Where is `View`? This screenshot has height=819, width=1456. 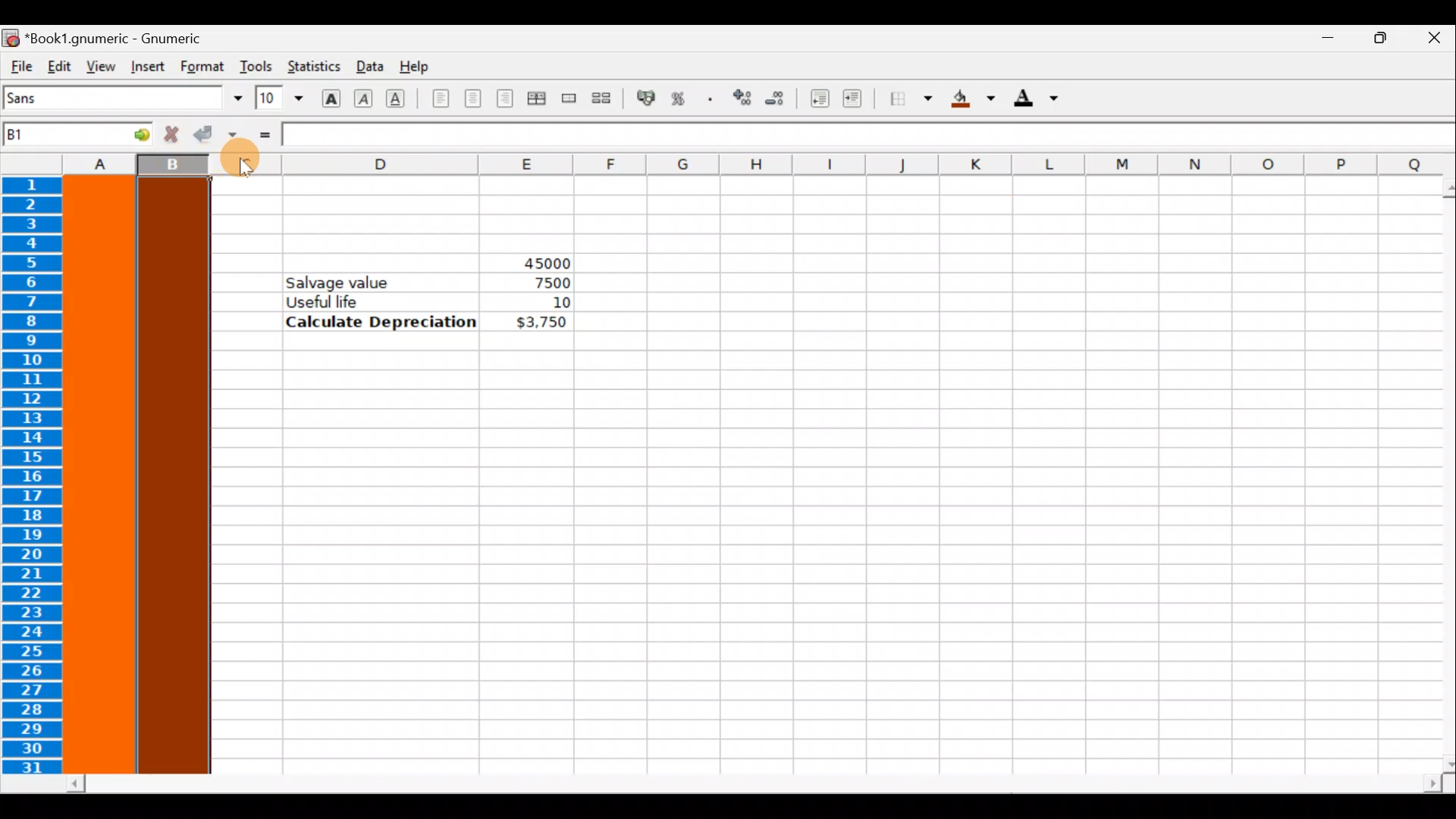 View is located at coordinates (96, 65).